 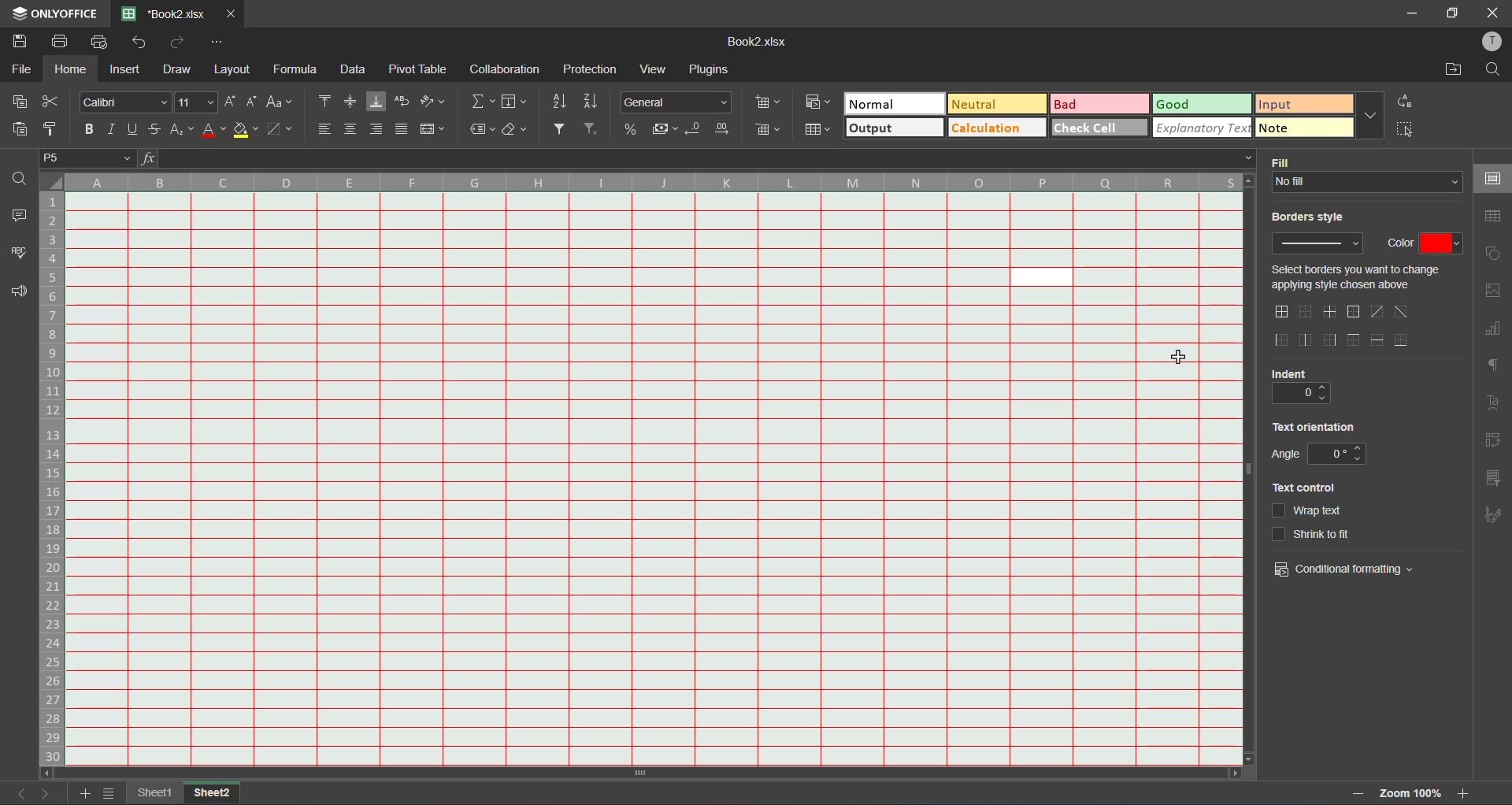 I want to click on minimize, so click(x=1416, y=15).